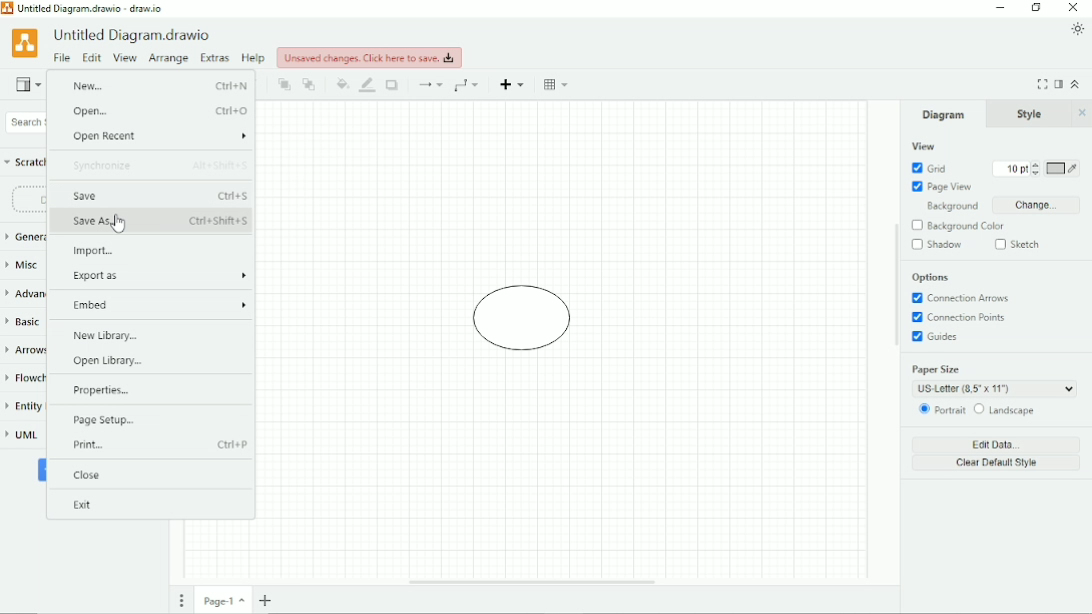 This screenshot has height=614, width=1092. Describe the element at coordinates (168, 59) in the screenshot. I see `Arrange` at that location.